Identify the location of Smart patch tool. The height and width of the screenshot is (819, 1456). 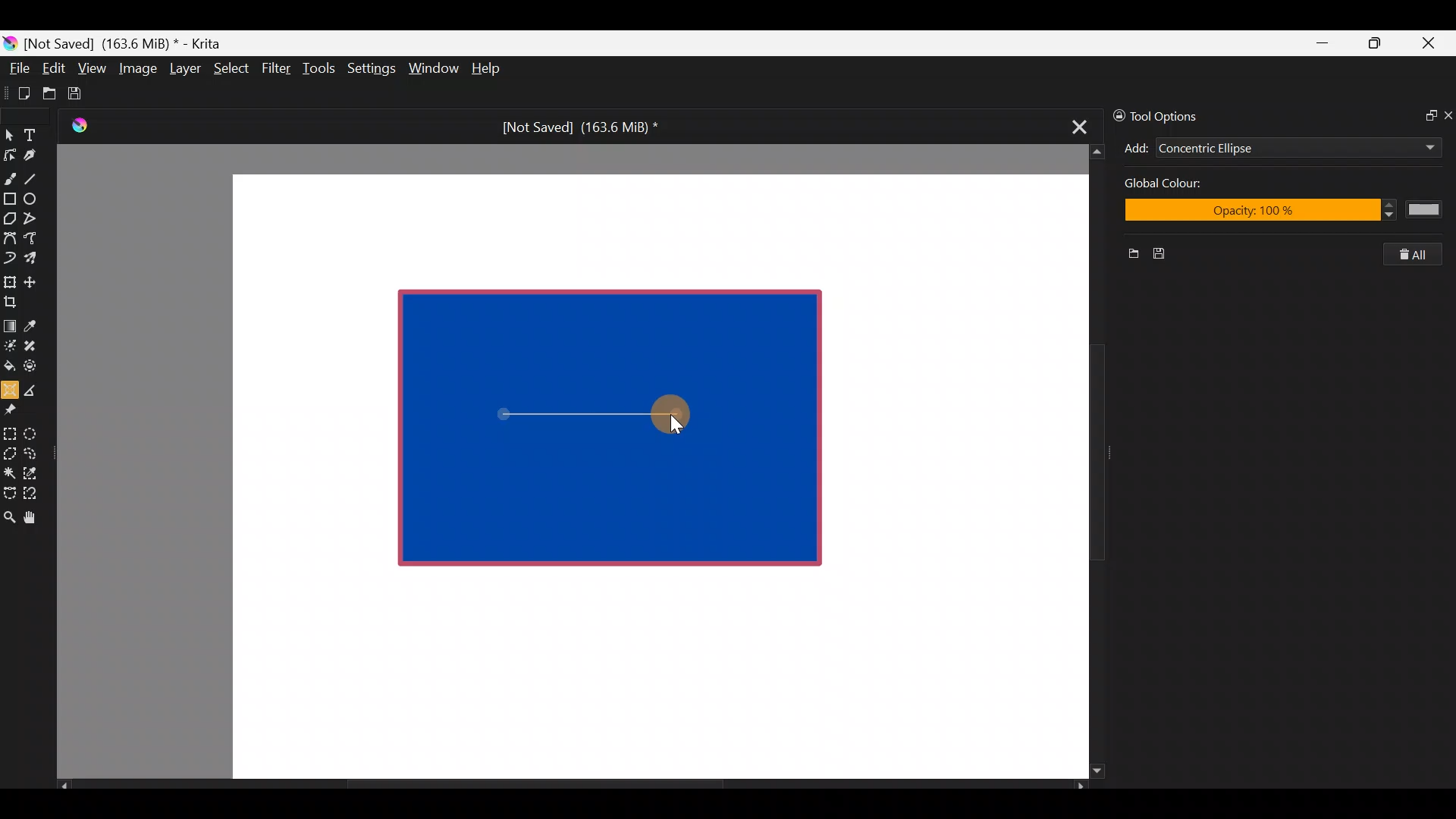
(35, 345).